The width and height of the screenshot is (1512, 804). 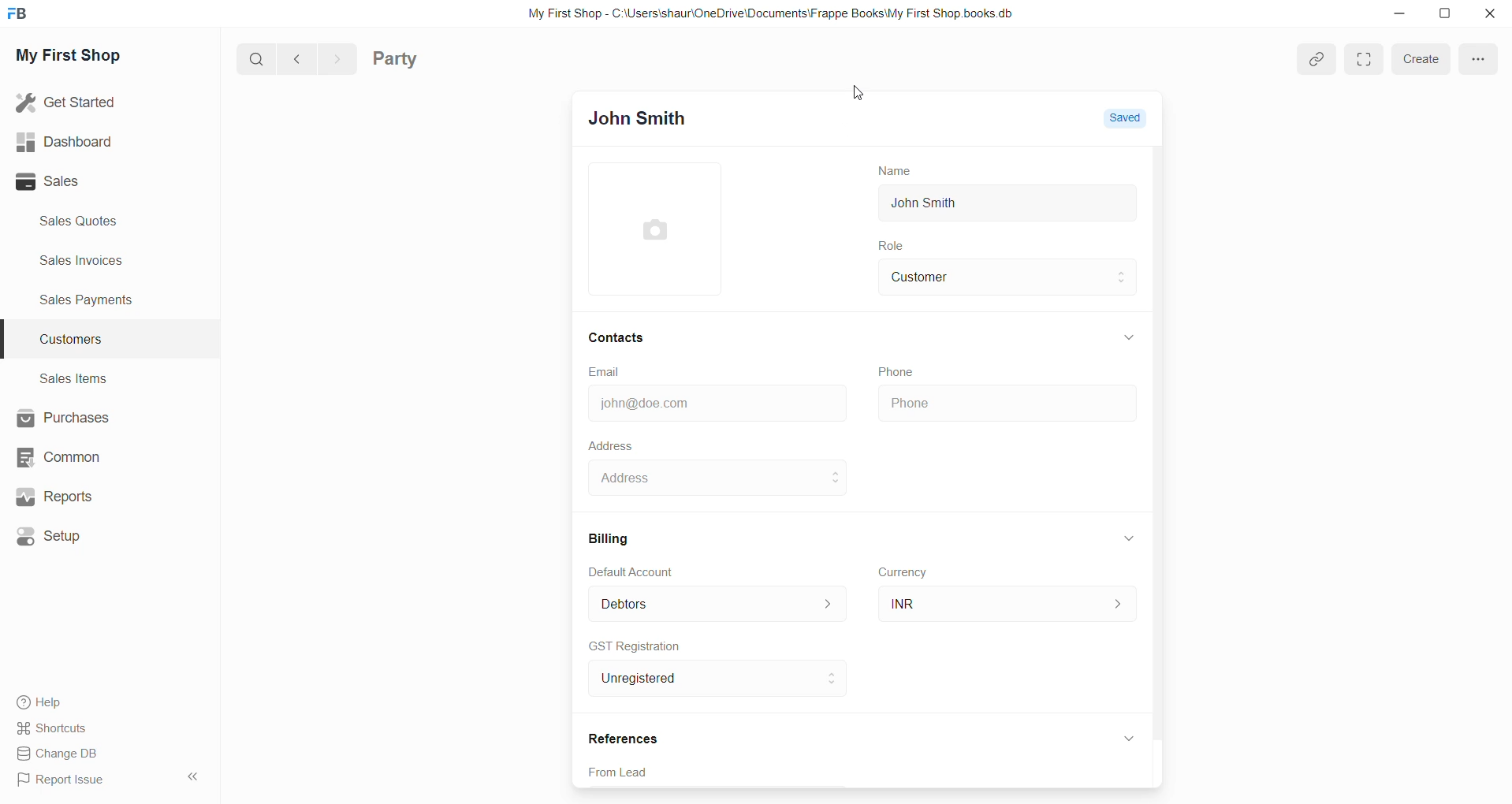 I want to click on Phone, so click(x=900, y=370).